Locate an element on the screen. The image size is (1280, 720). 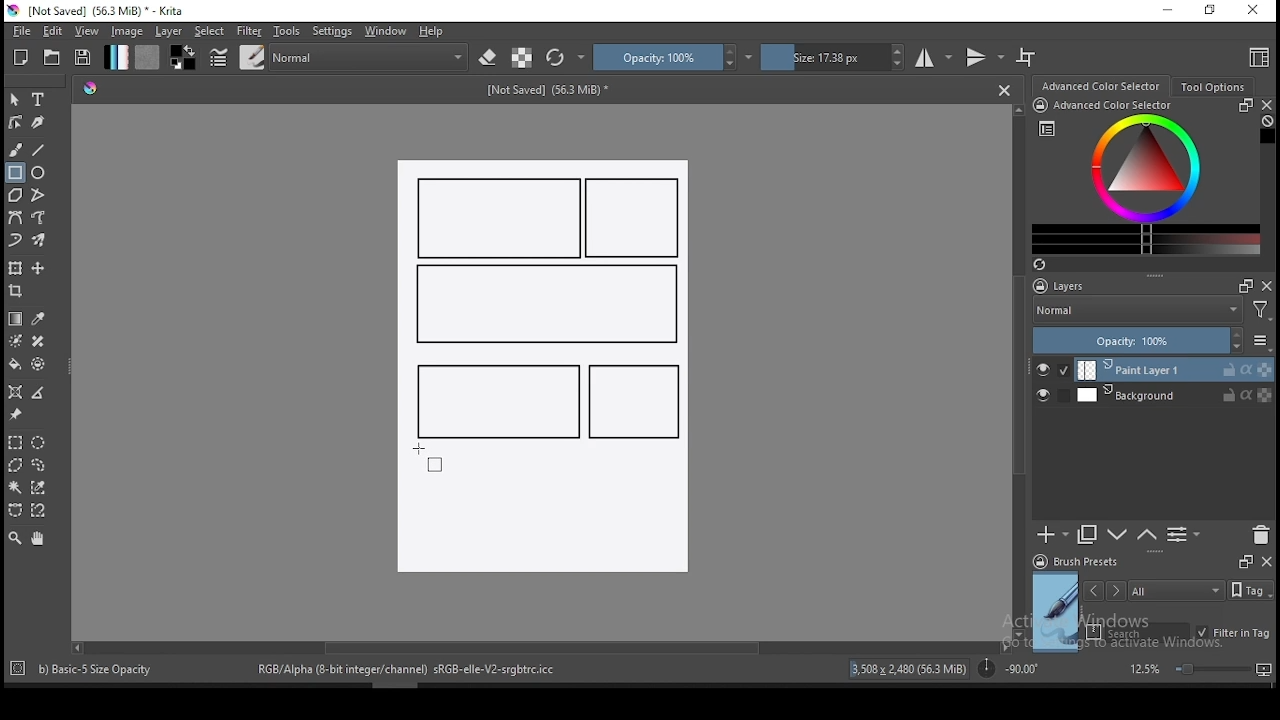
close docker is located at coordinates (1266, 105).